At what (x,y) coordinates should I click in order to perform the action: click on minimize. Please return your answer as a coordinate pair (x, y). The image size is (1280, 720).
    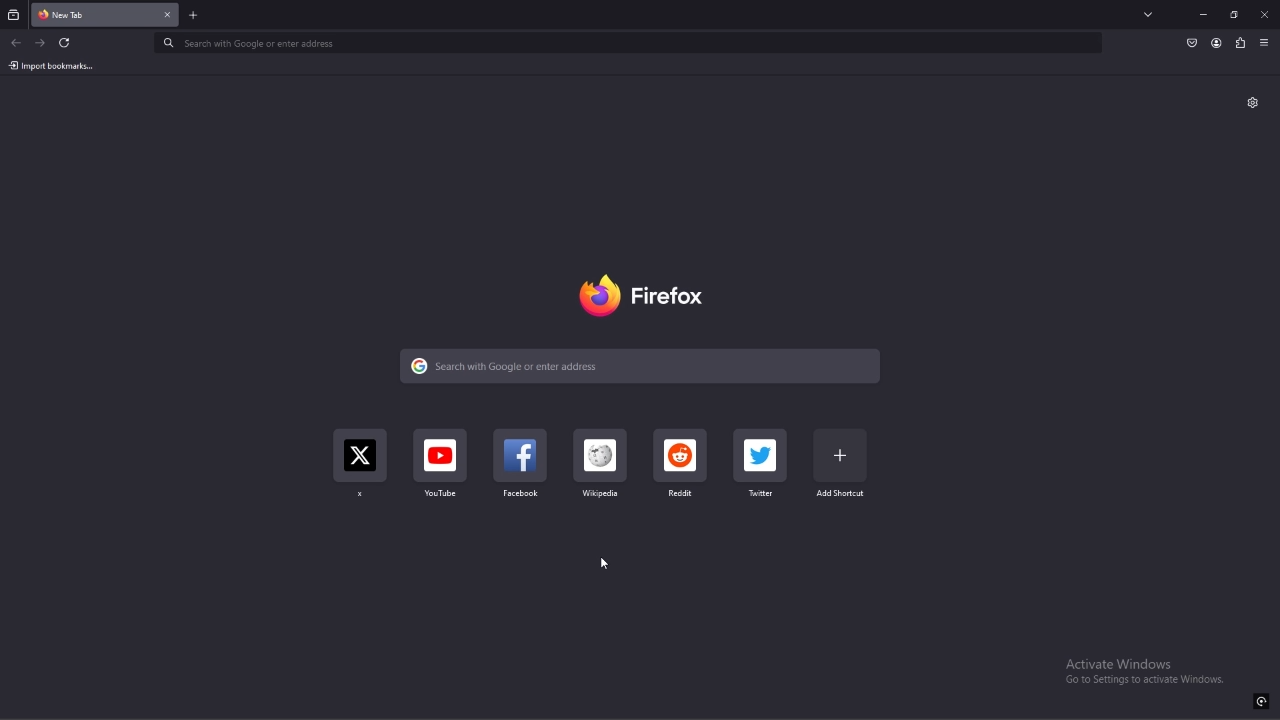
    Looking at the image, I should click on (1204, 14).